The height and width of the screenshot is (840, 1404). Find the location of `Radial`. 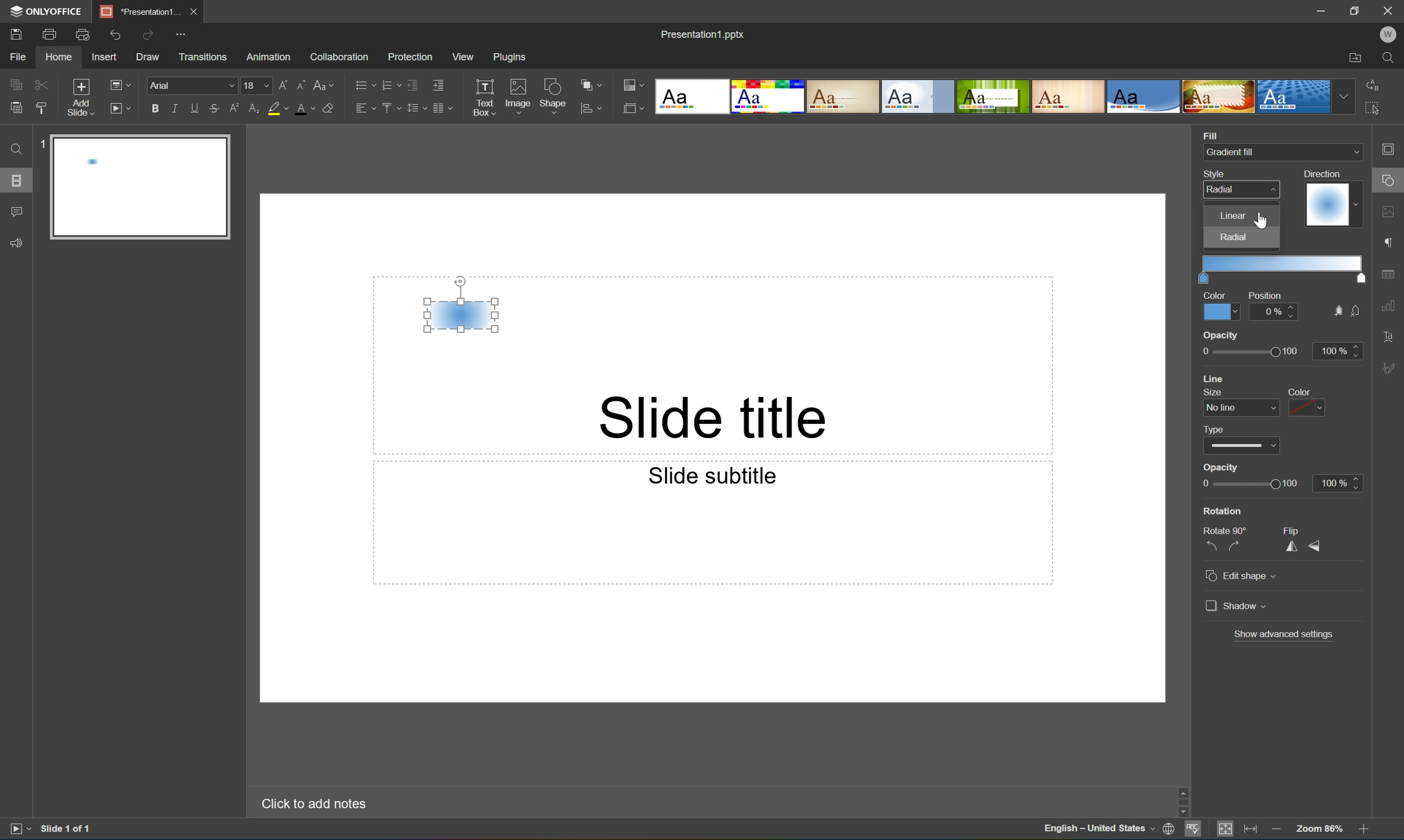

Radial is located at coordinates (1236, 237).